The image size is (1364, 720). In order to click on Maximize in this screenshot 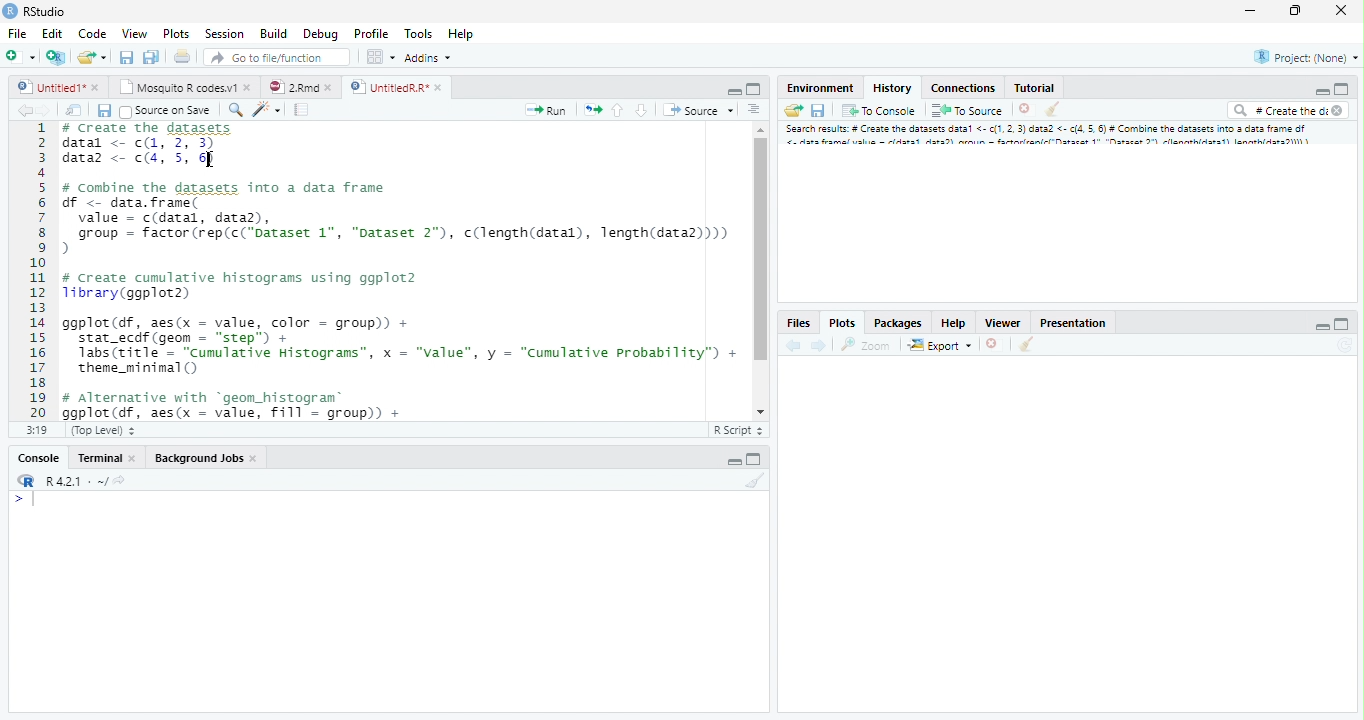, I will do `click(757, 460)`.